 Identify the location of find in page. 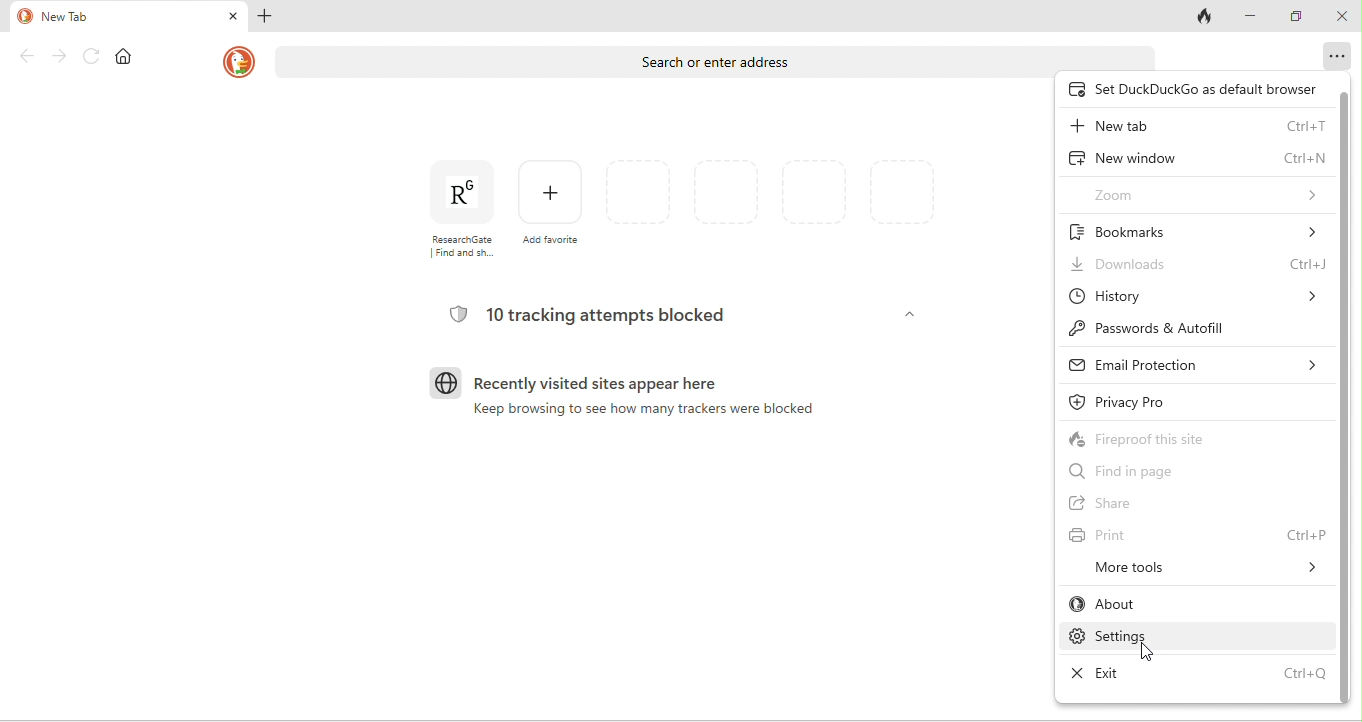
(1166, 471).